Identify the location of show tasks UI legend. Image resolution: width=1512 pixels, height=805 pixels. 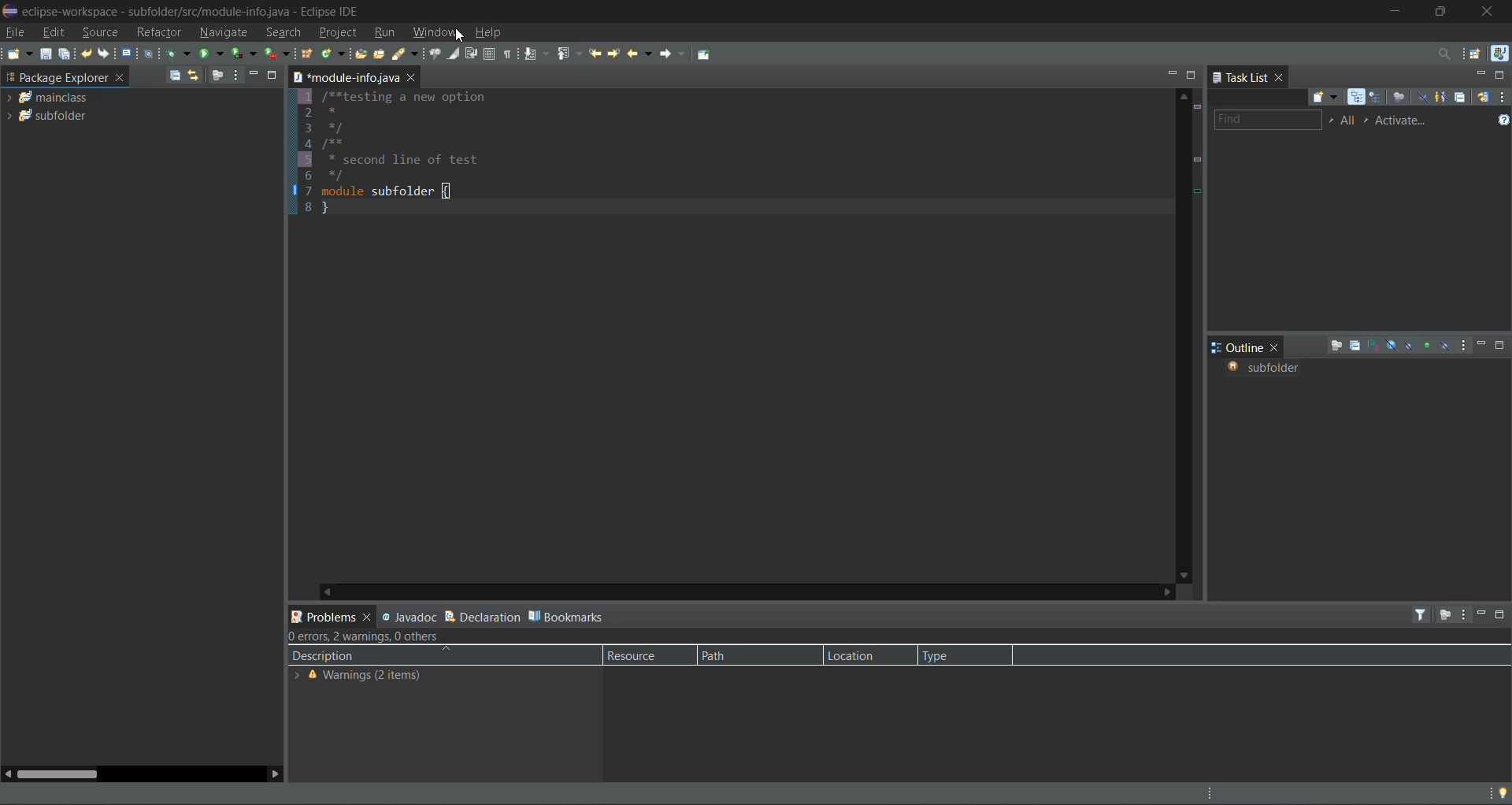
(1498, 123).